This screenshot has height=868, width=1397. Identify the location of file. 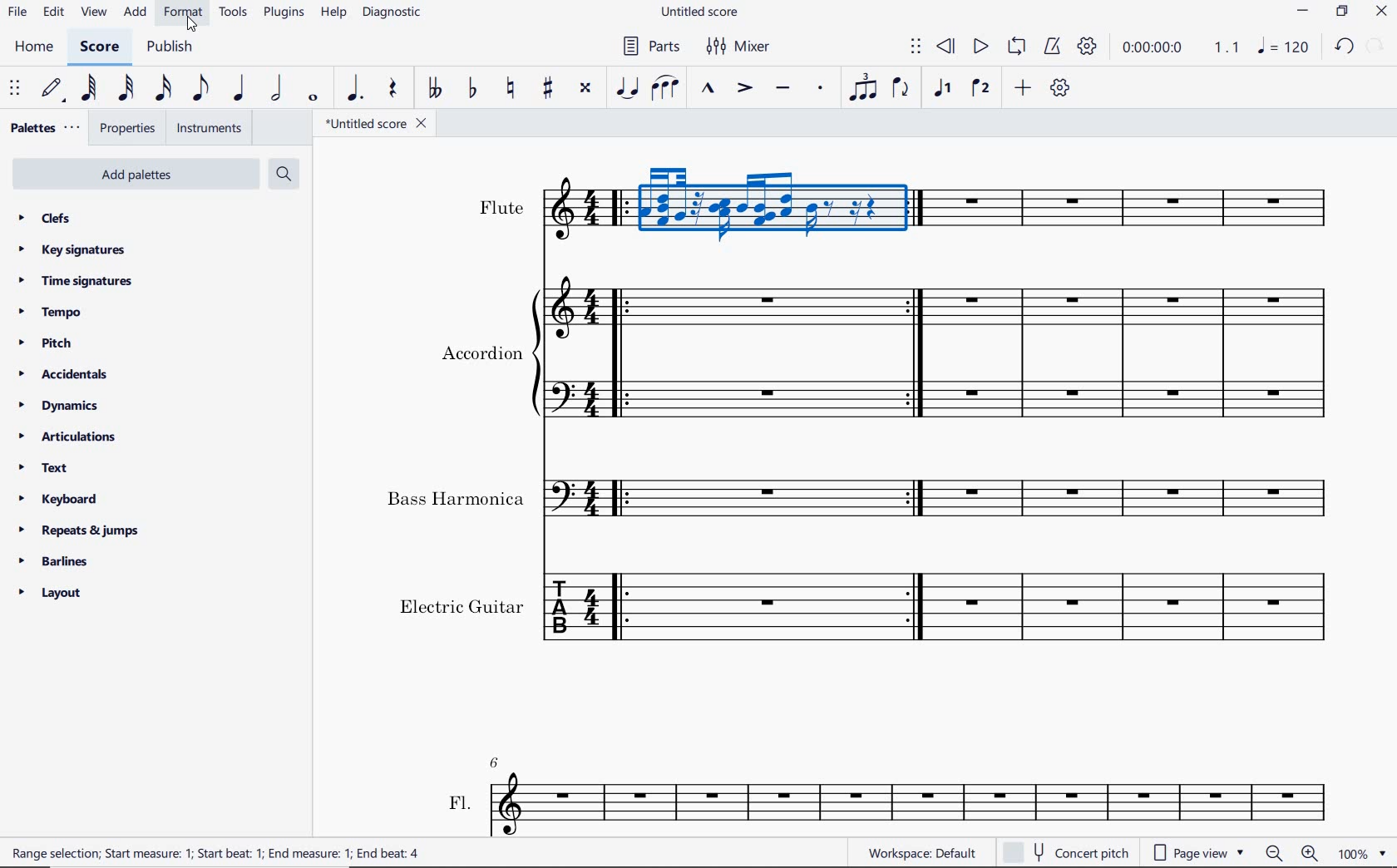
(18, 12).